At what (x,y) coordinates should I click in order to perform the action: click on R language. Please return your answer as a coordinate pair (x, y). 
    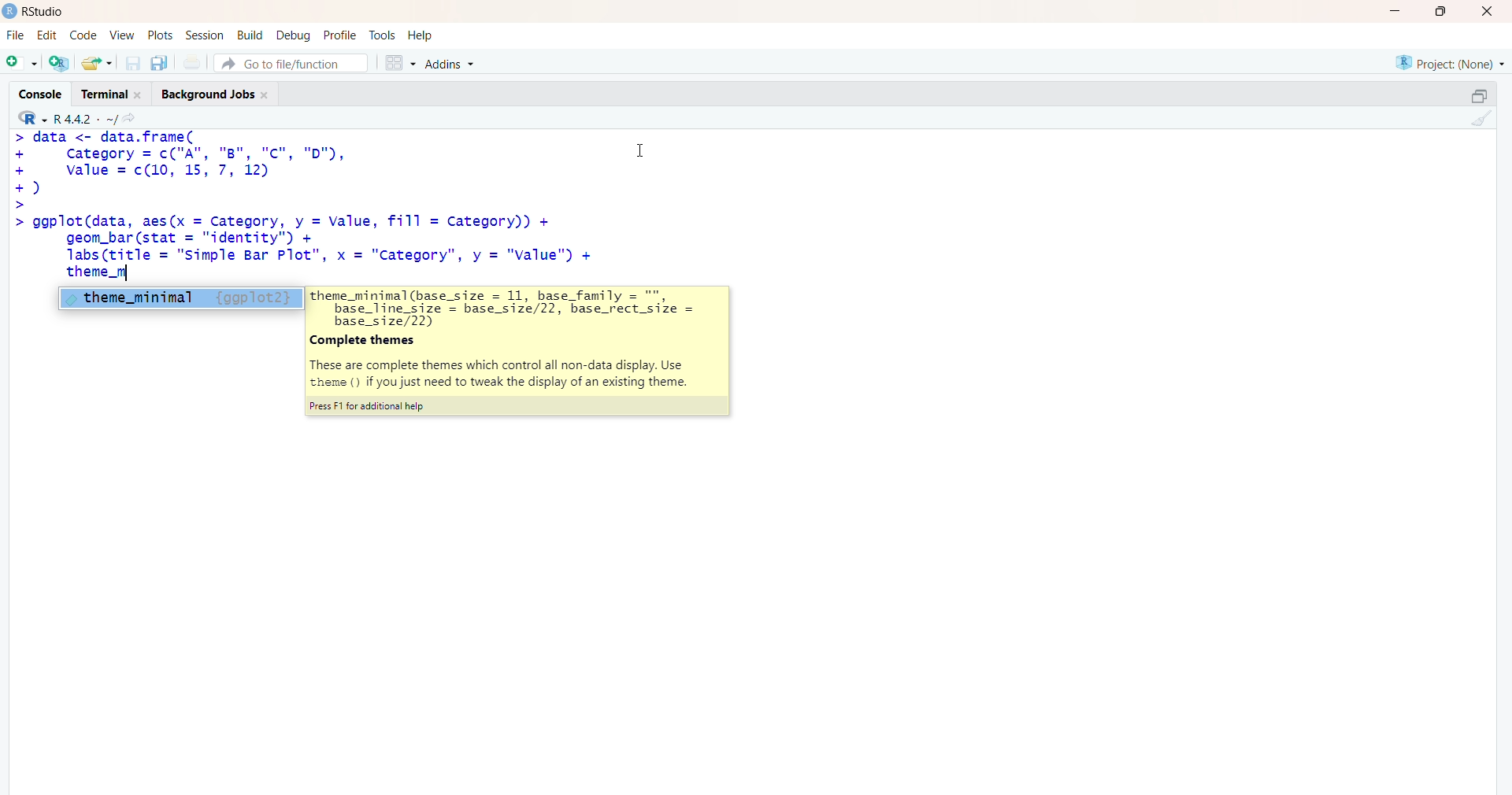
    Looking at the image, I should click on (34, 118).